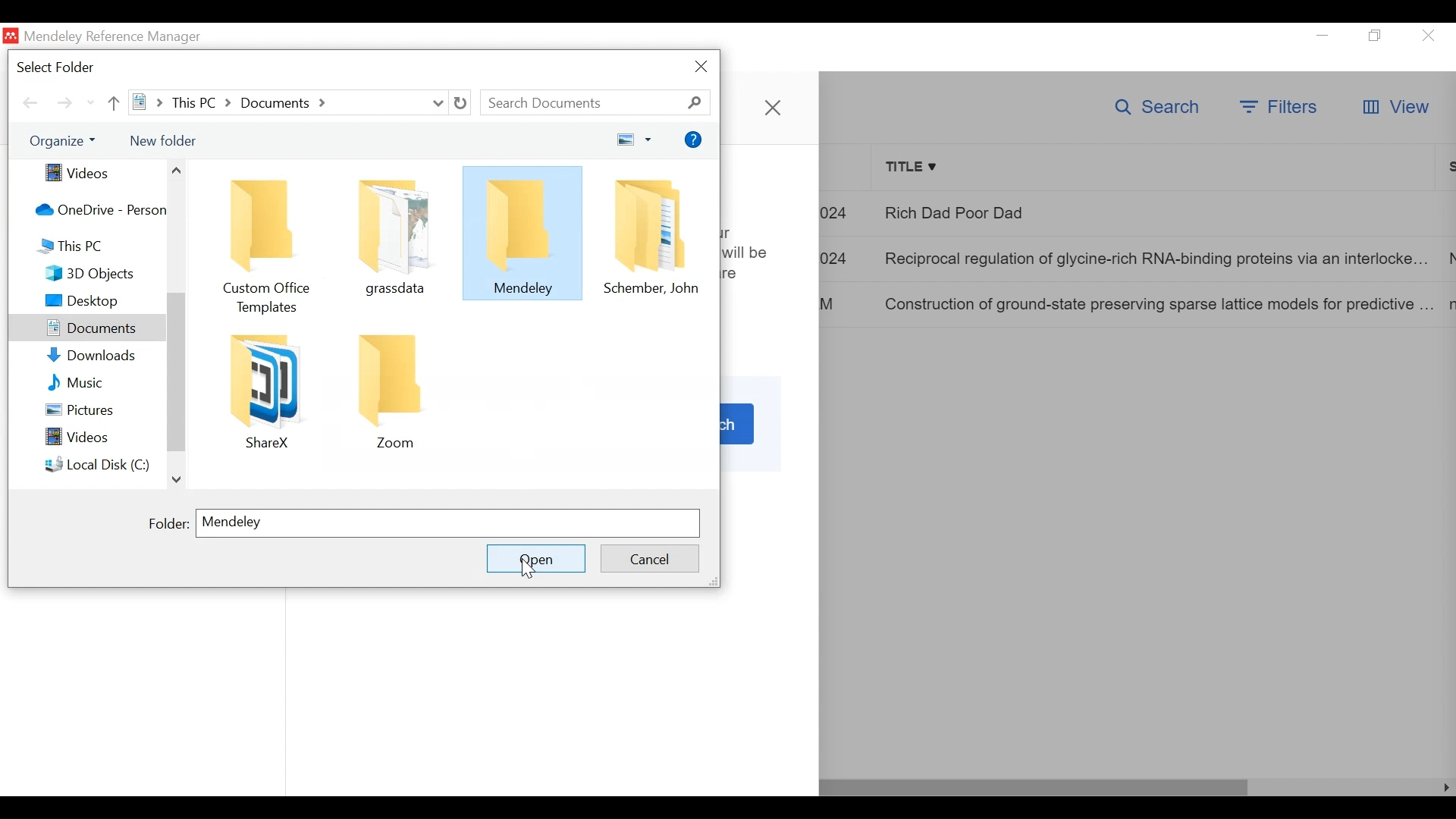 This screenshot has width=1456, height=819. What do you see at coordinates (176, 372) in the screenshot?
I see `scroll bar` at bounding box center [176, 372].